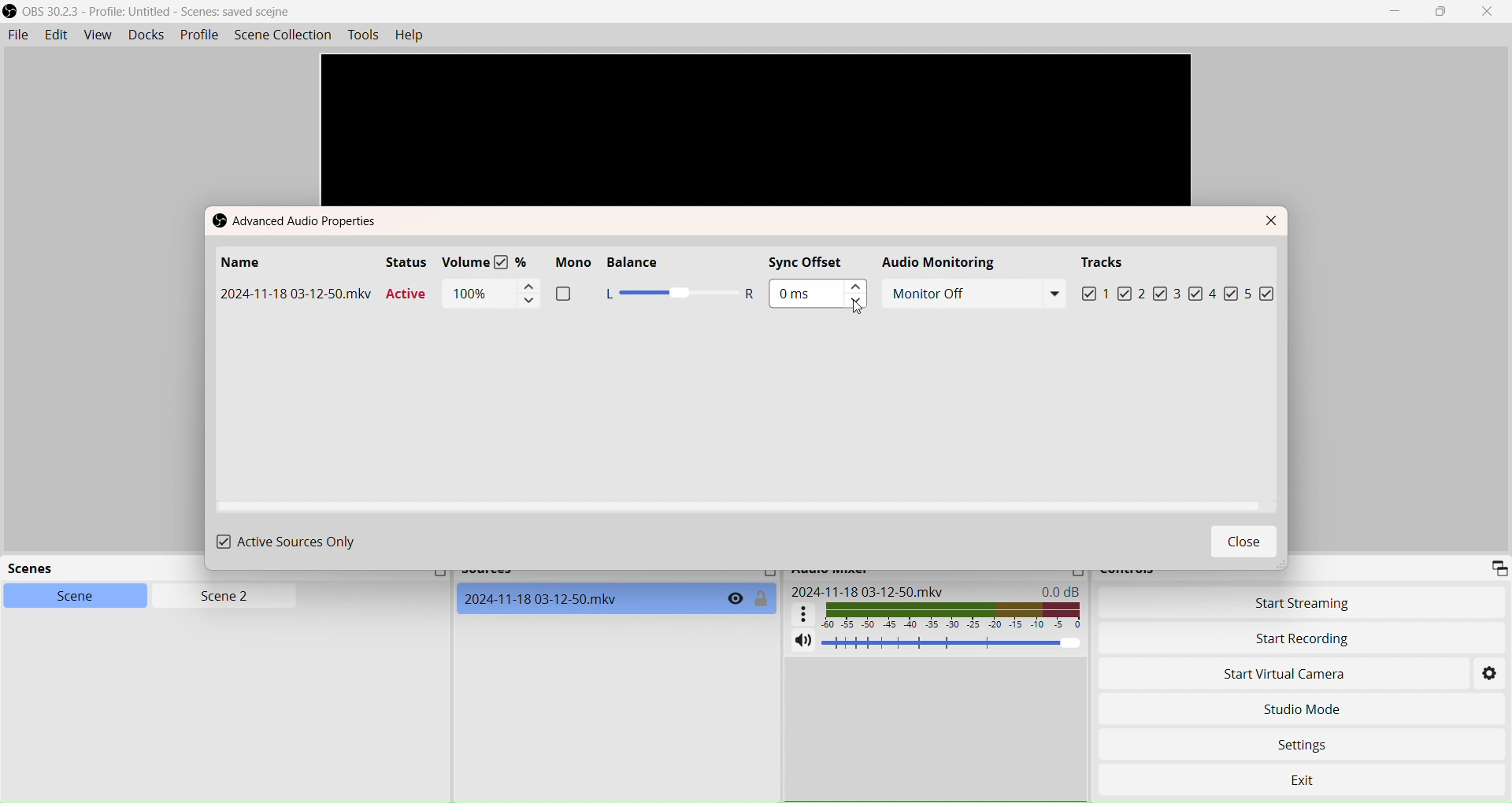 This screenshot has width=1512, height=803. What do you see at coordinates (856, 285) in the screenshot?
I see `Increment` at bounding box center [856, 285].